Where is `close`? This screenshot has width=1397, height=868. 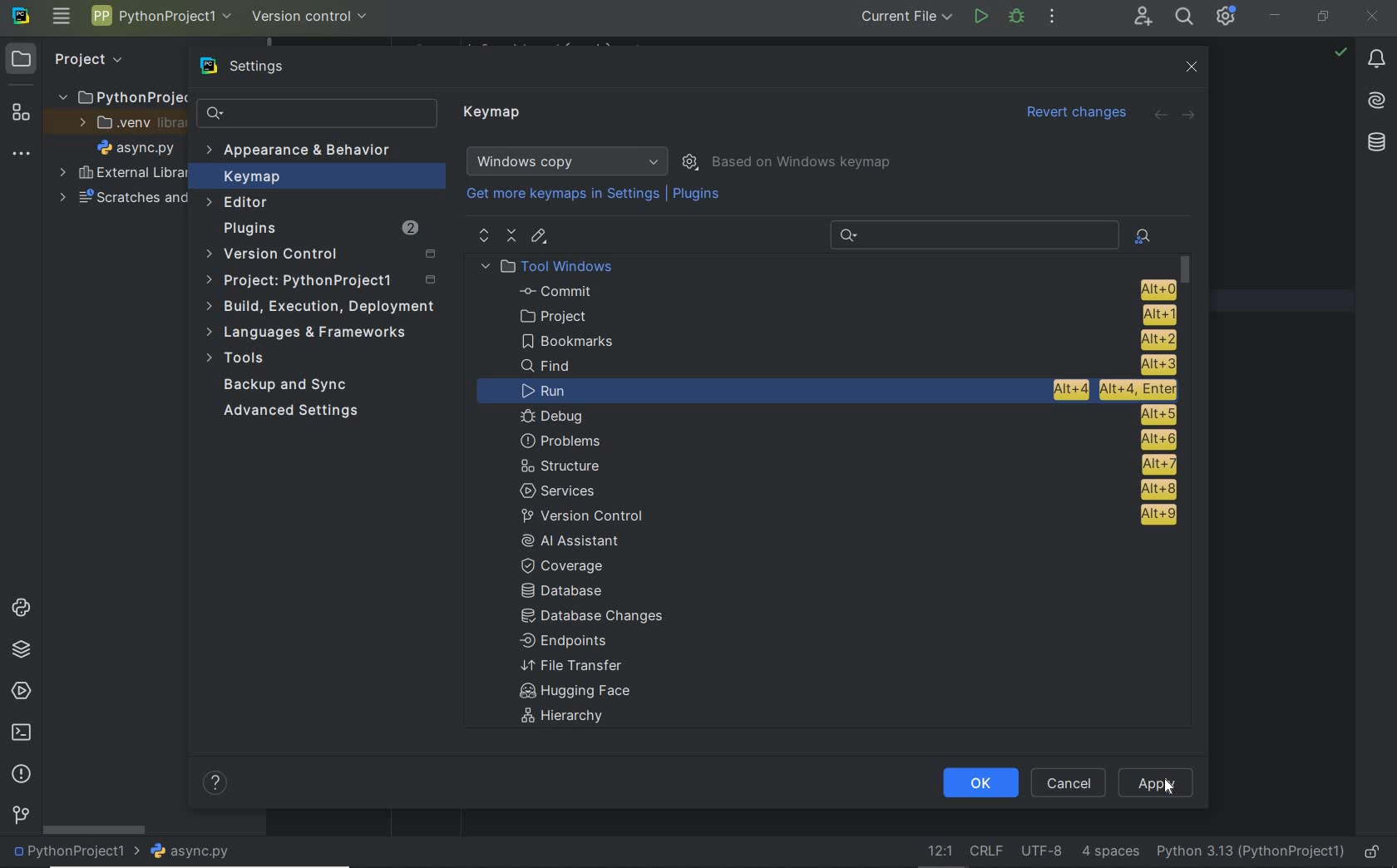 close is located at coordinates (1374, 15).